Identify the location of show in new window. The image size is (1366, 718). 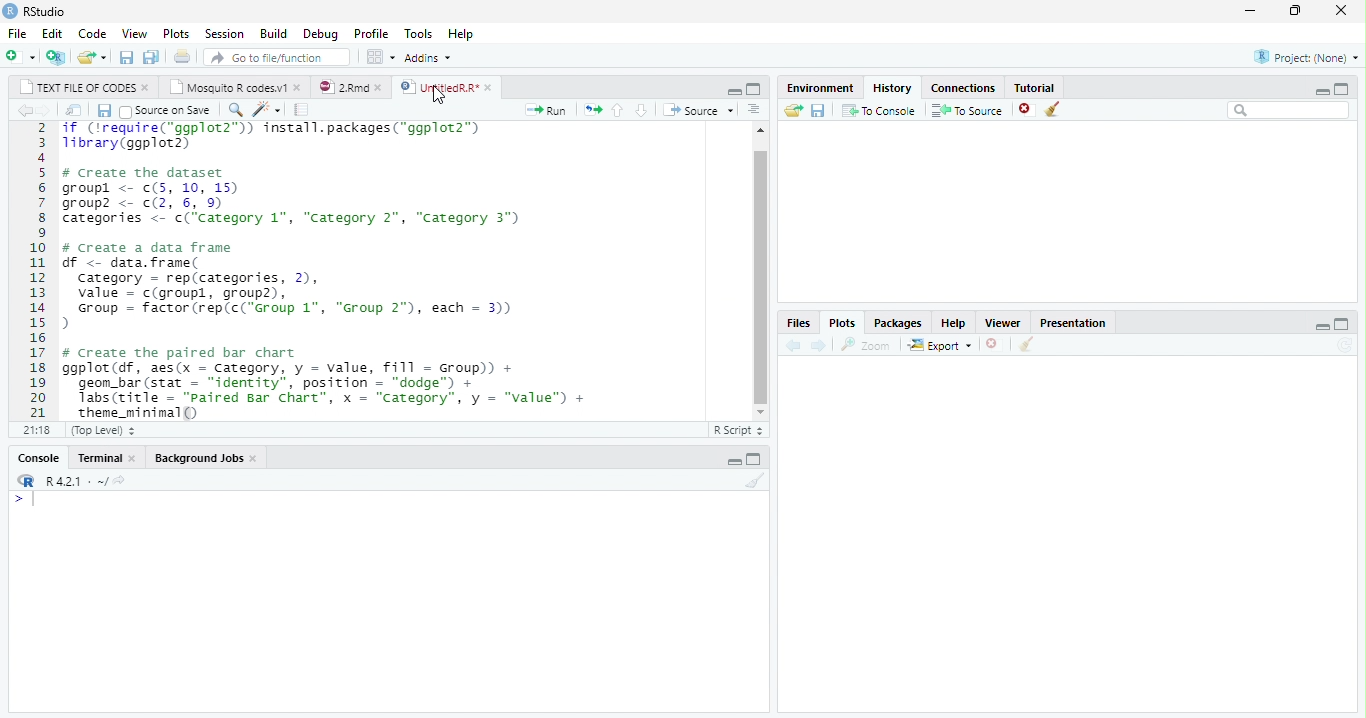
(73, 110).